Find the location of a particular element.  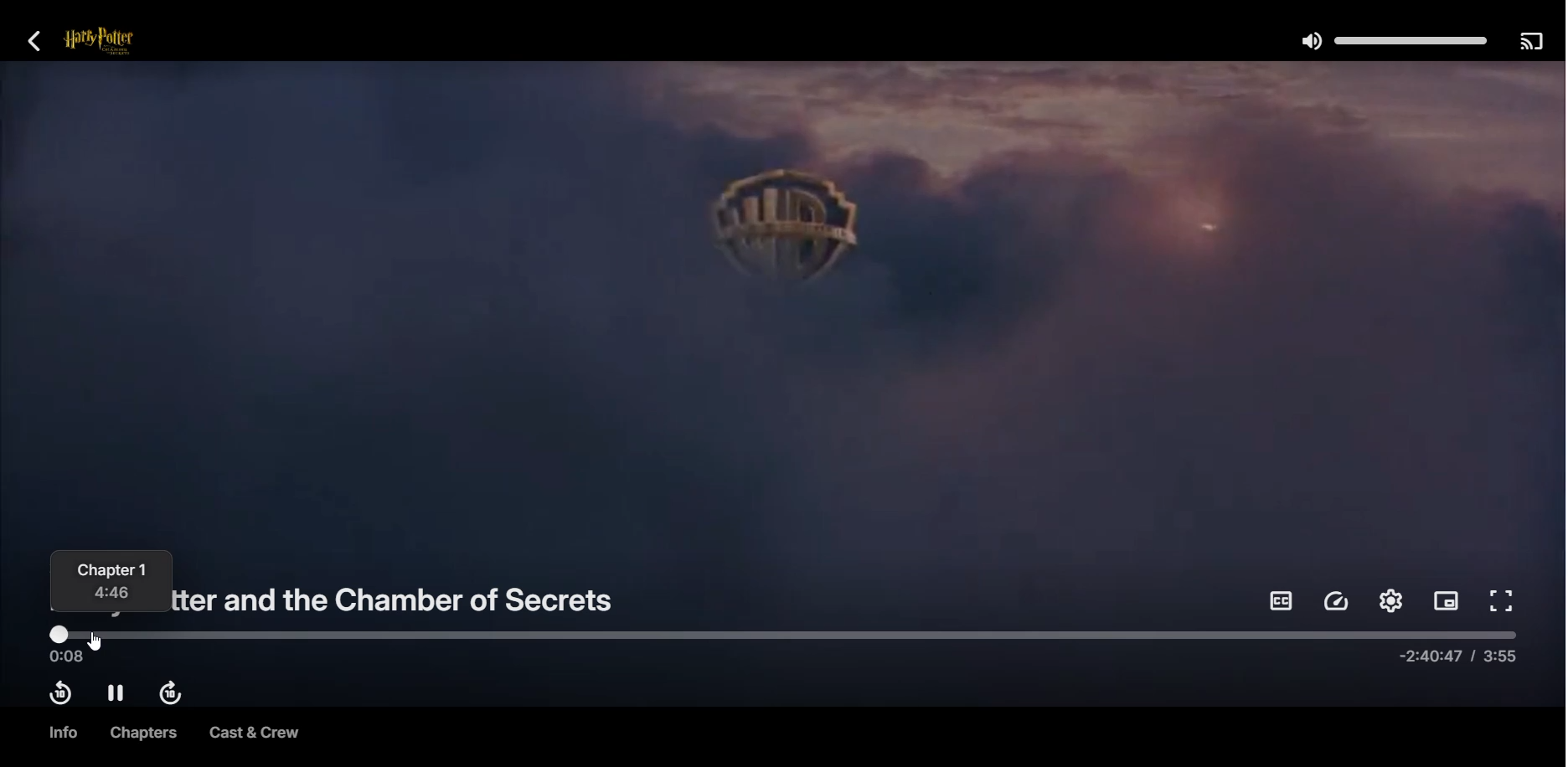

Subtitles is located at coordinates (1280, 600).